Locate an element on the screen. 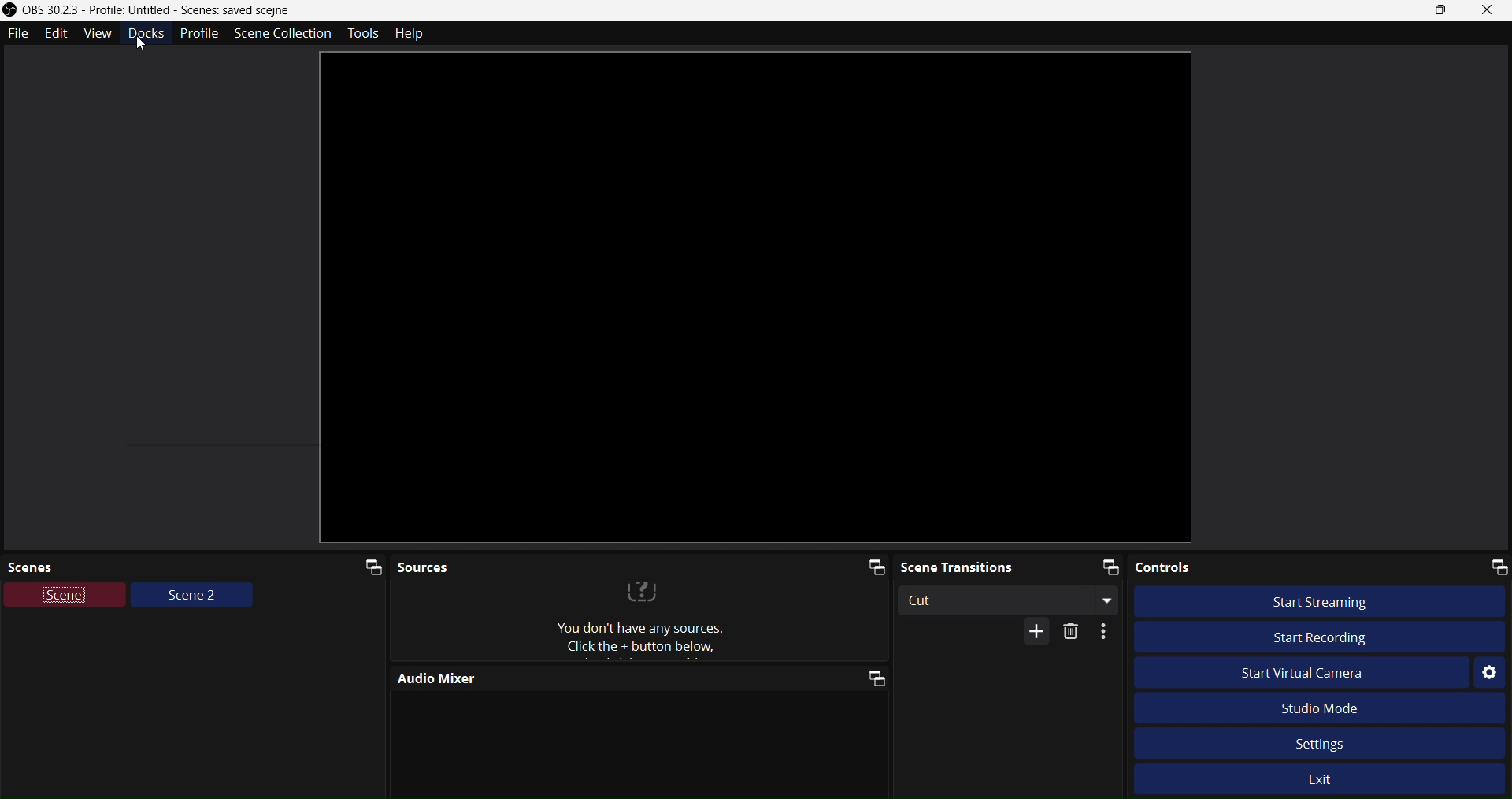 The width and height of the screenshot is (1512, 799). Scene is located at coordinates (66, 597).